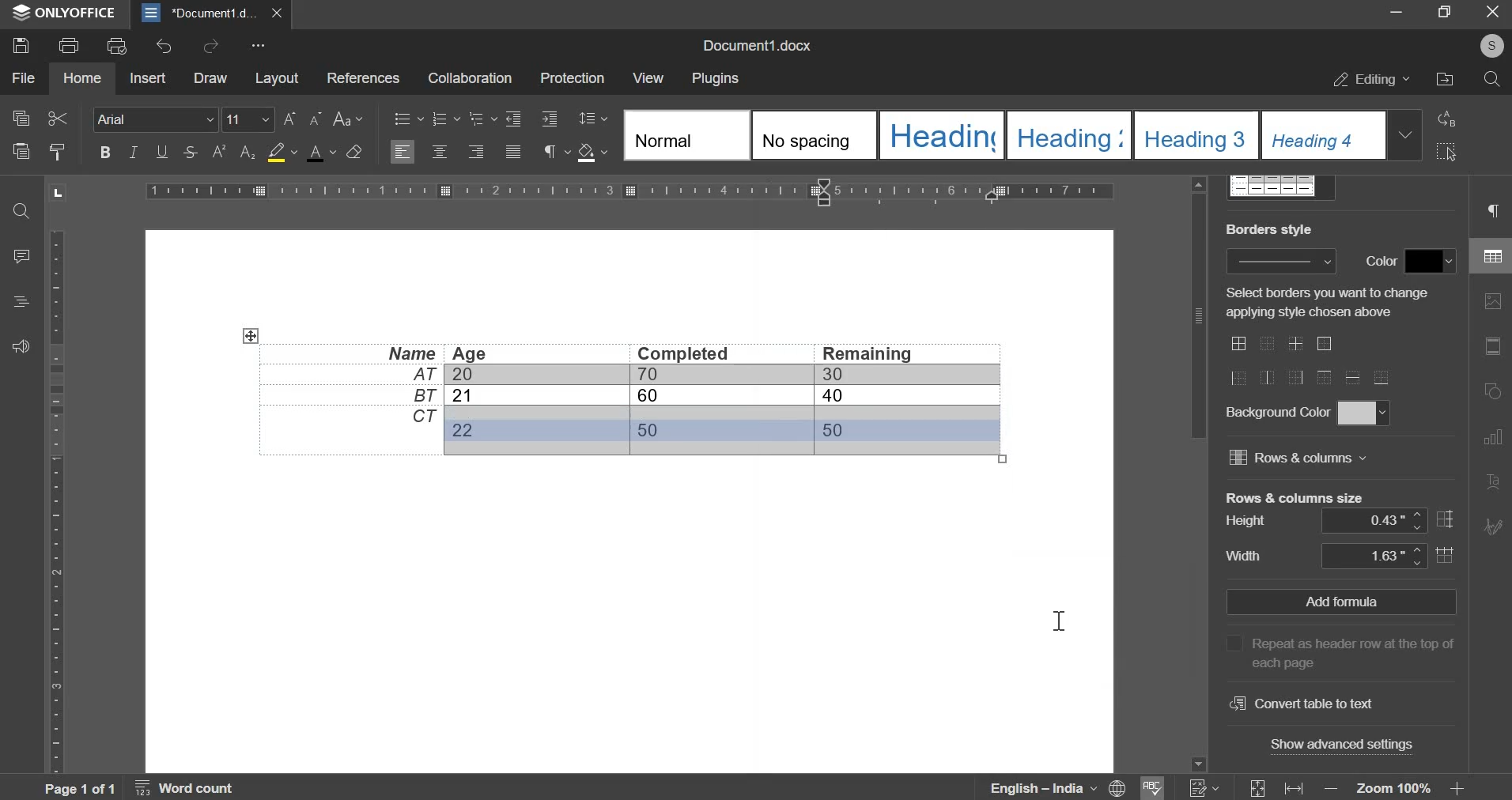  What do you see at coordinates (1492, 16) in the screenshot?
I see `exit` at bounding box center [1492, 16].